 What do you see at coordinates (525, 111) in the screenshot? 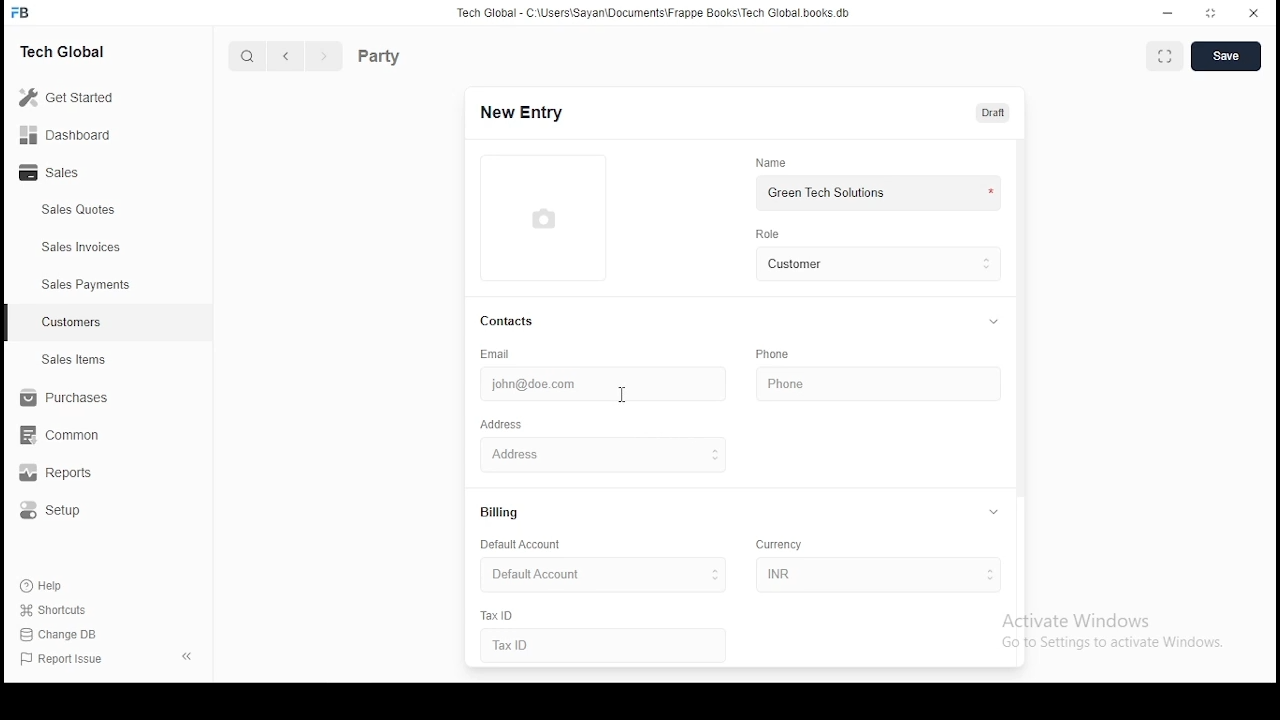
I see `new entry` at bounding box center [525, 111].